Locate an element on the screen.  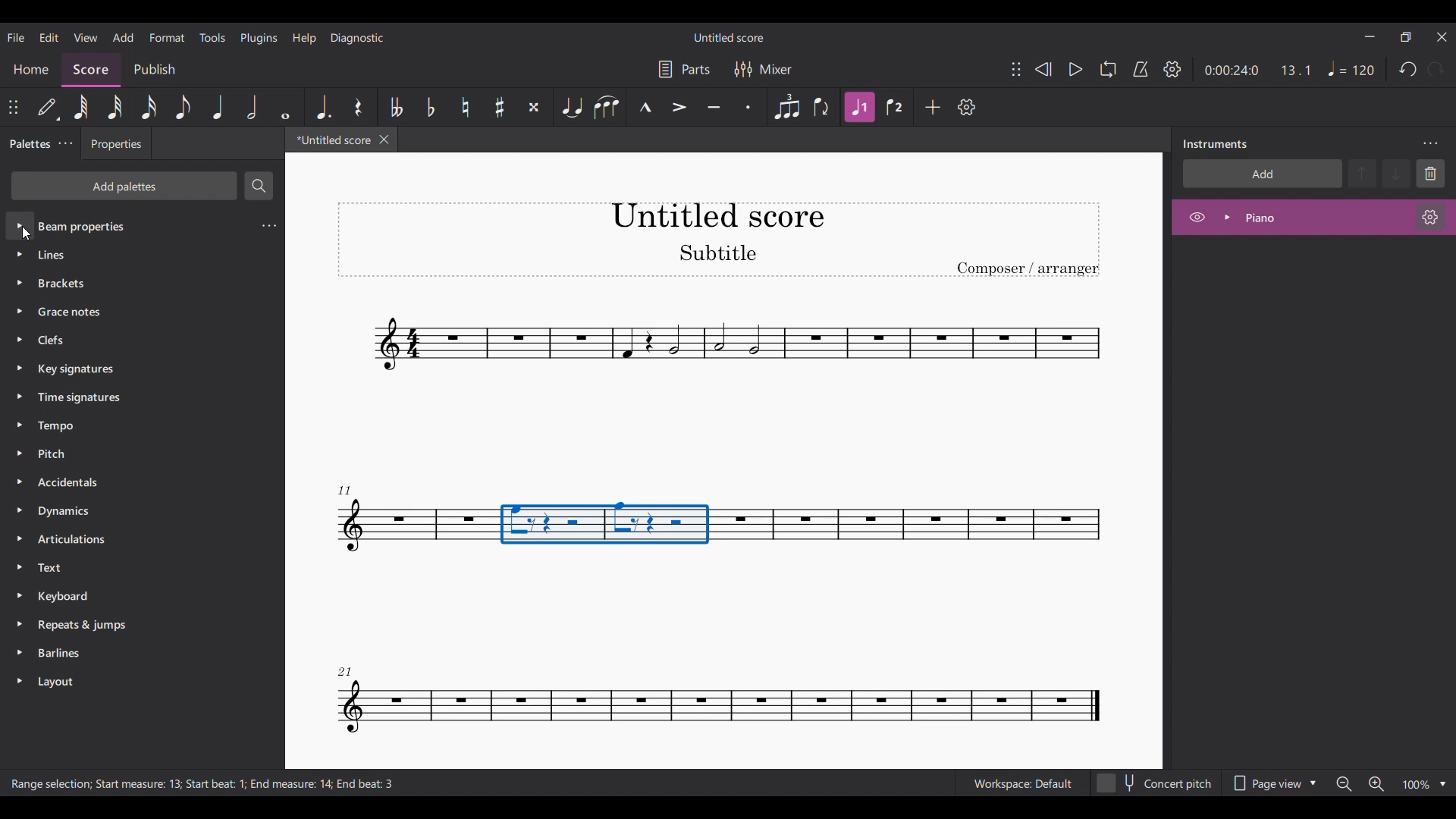
Toggle sharp is located at coordinates (500, 107).